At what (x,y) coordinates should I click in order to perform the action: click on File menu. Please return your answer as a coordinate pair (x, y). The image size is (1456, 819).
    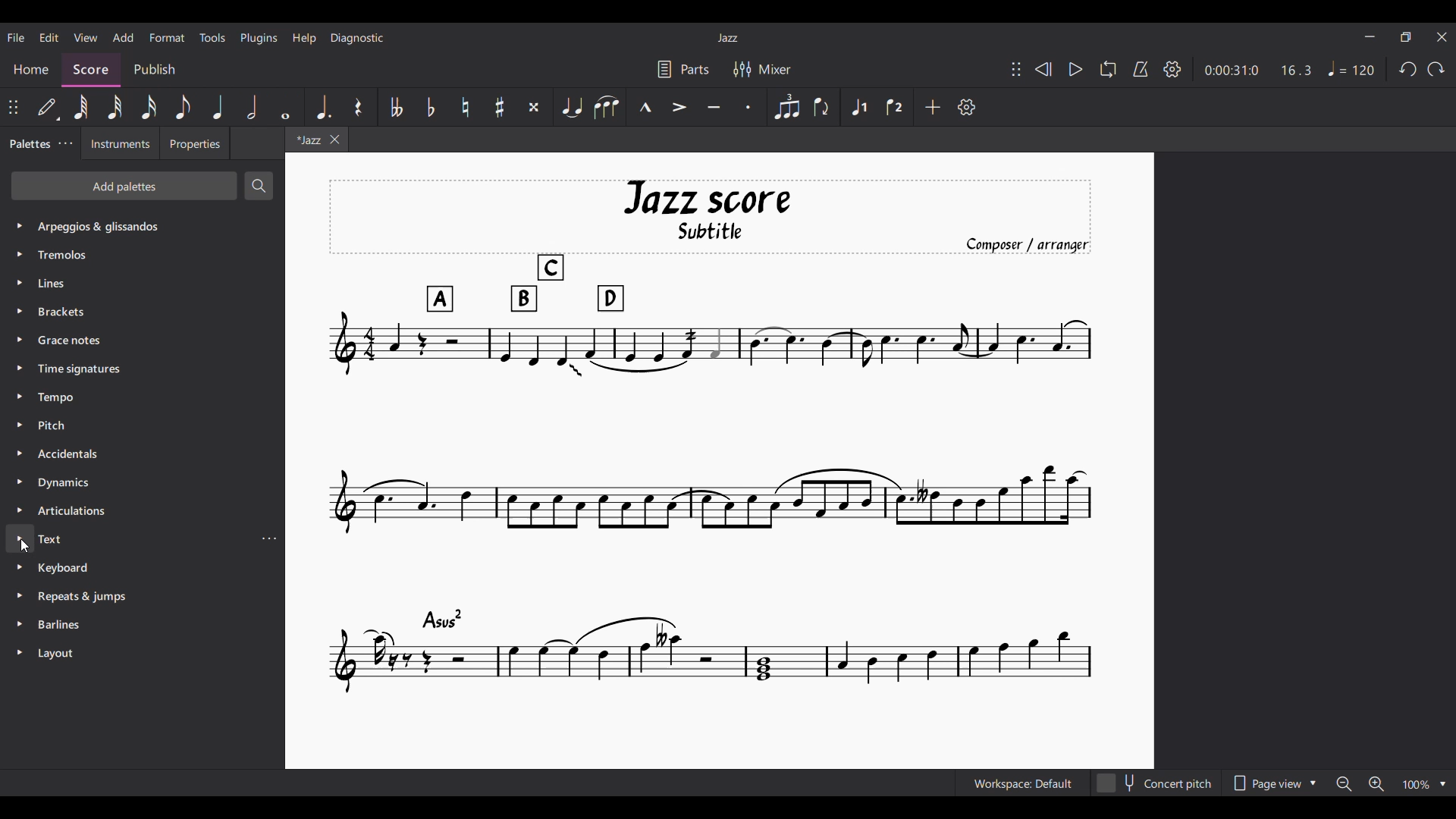
    Looking at the image, I should click on (17, 37).